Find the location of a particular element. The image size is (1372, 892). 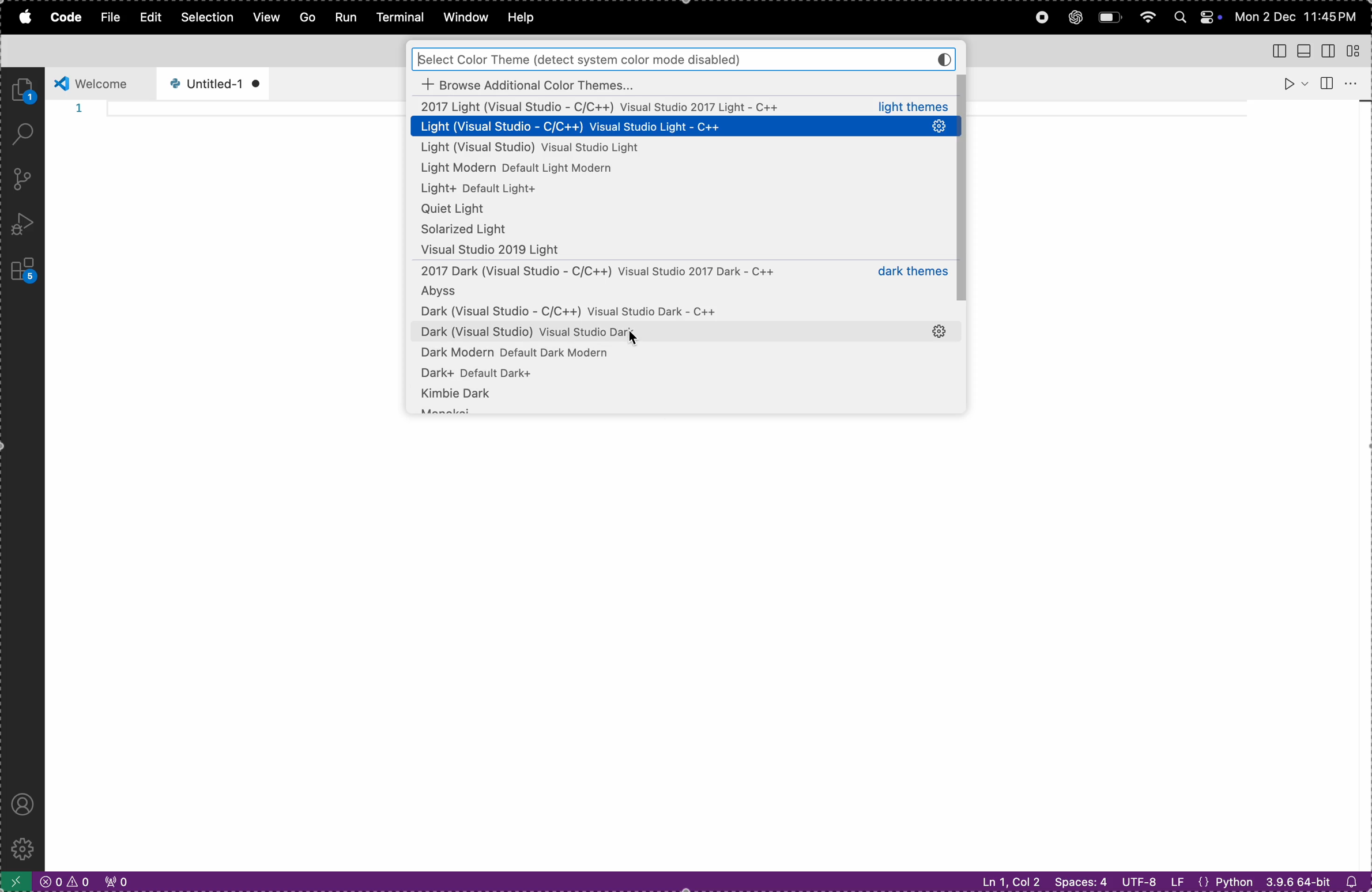

un titled is located at coordinates (209, 84).